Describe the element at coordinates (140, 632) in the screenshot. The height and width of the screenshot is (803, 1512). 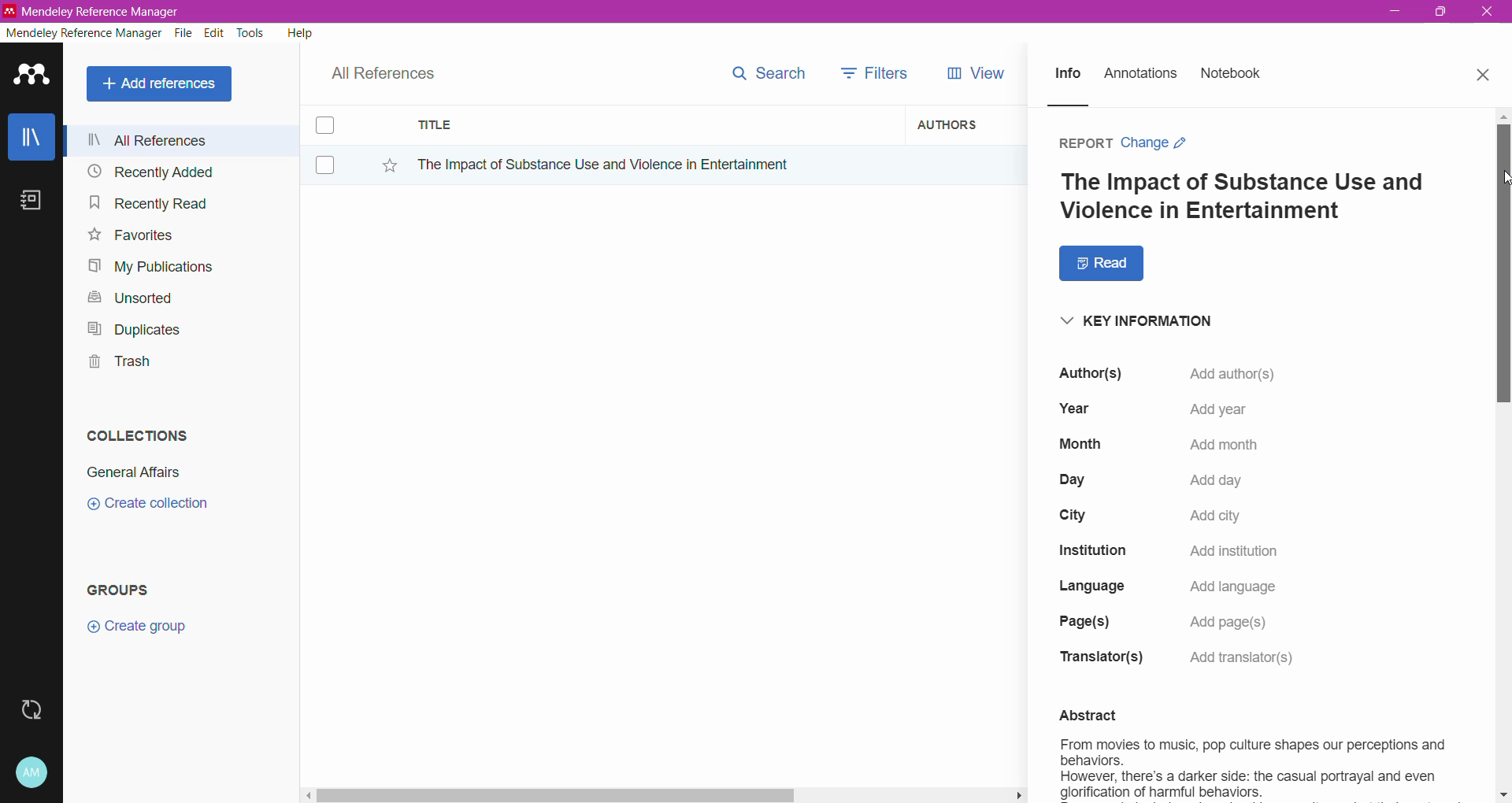
I see `Click to Create Group` at that location.